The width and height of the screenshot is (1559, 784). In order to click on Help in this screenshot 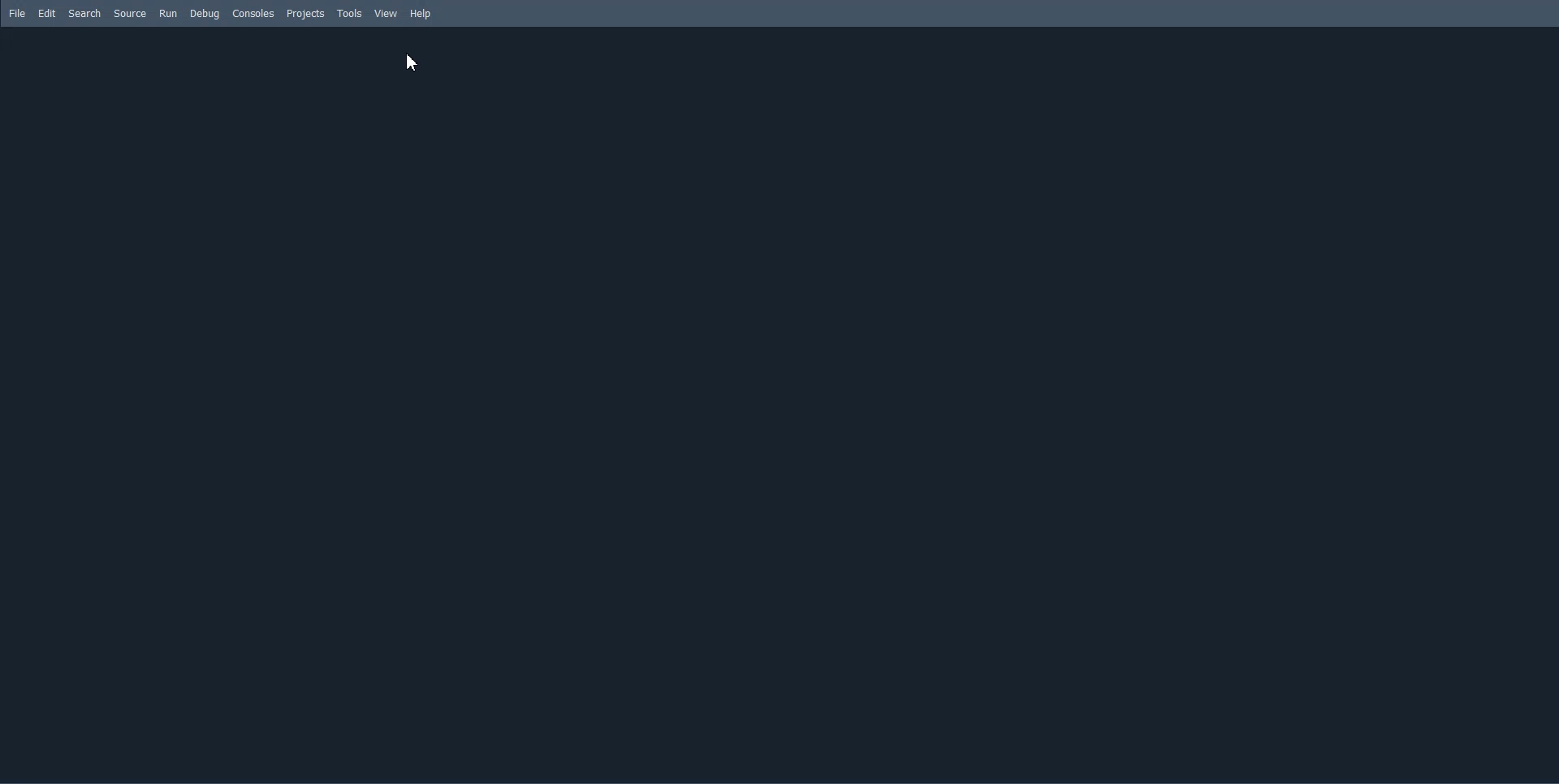, I will do `click(420, 14)`.